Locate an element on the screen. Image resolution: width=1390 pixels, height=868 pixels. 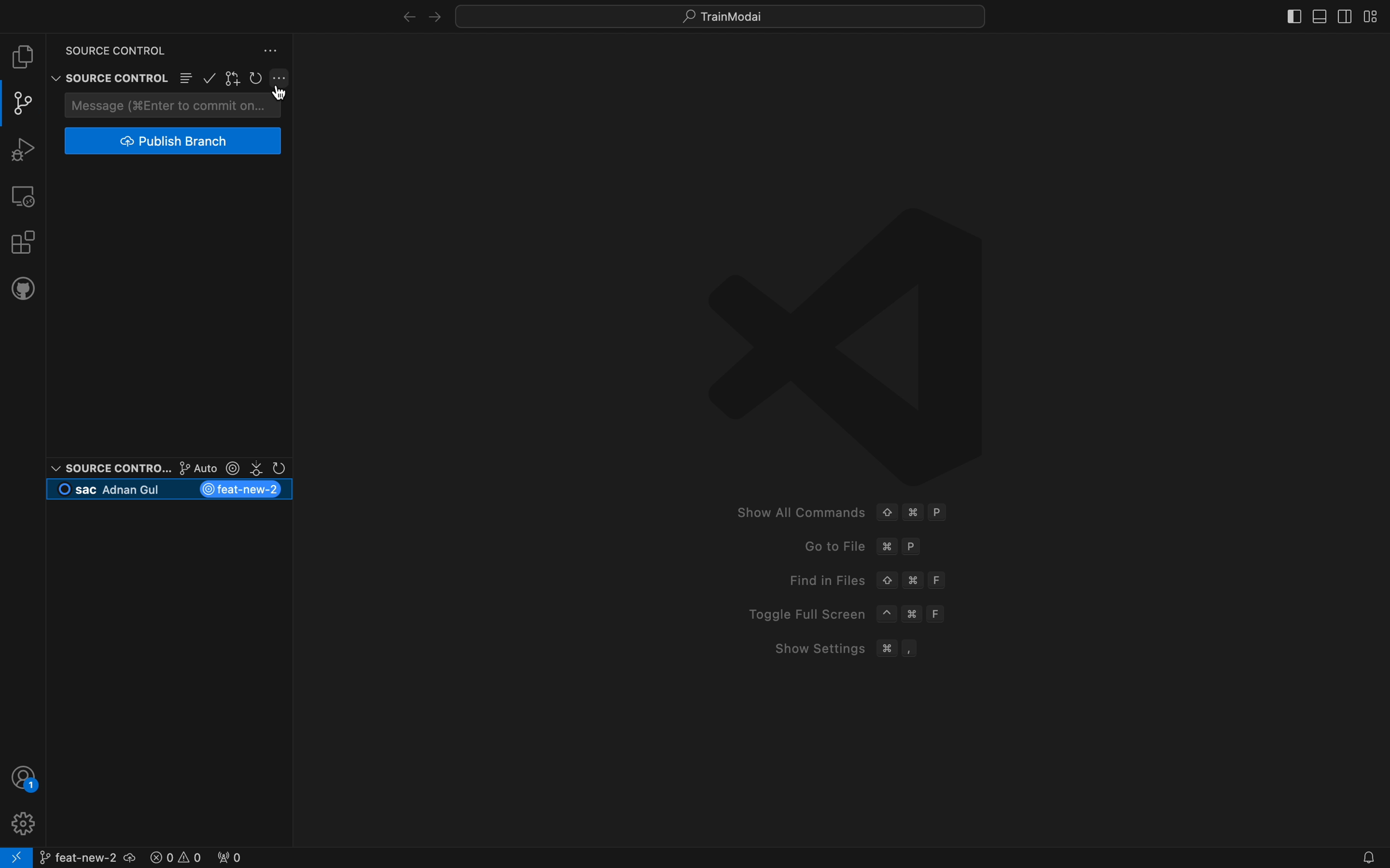
Up is located at coordinates (886, 511).